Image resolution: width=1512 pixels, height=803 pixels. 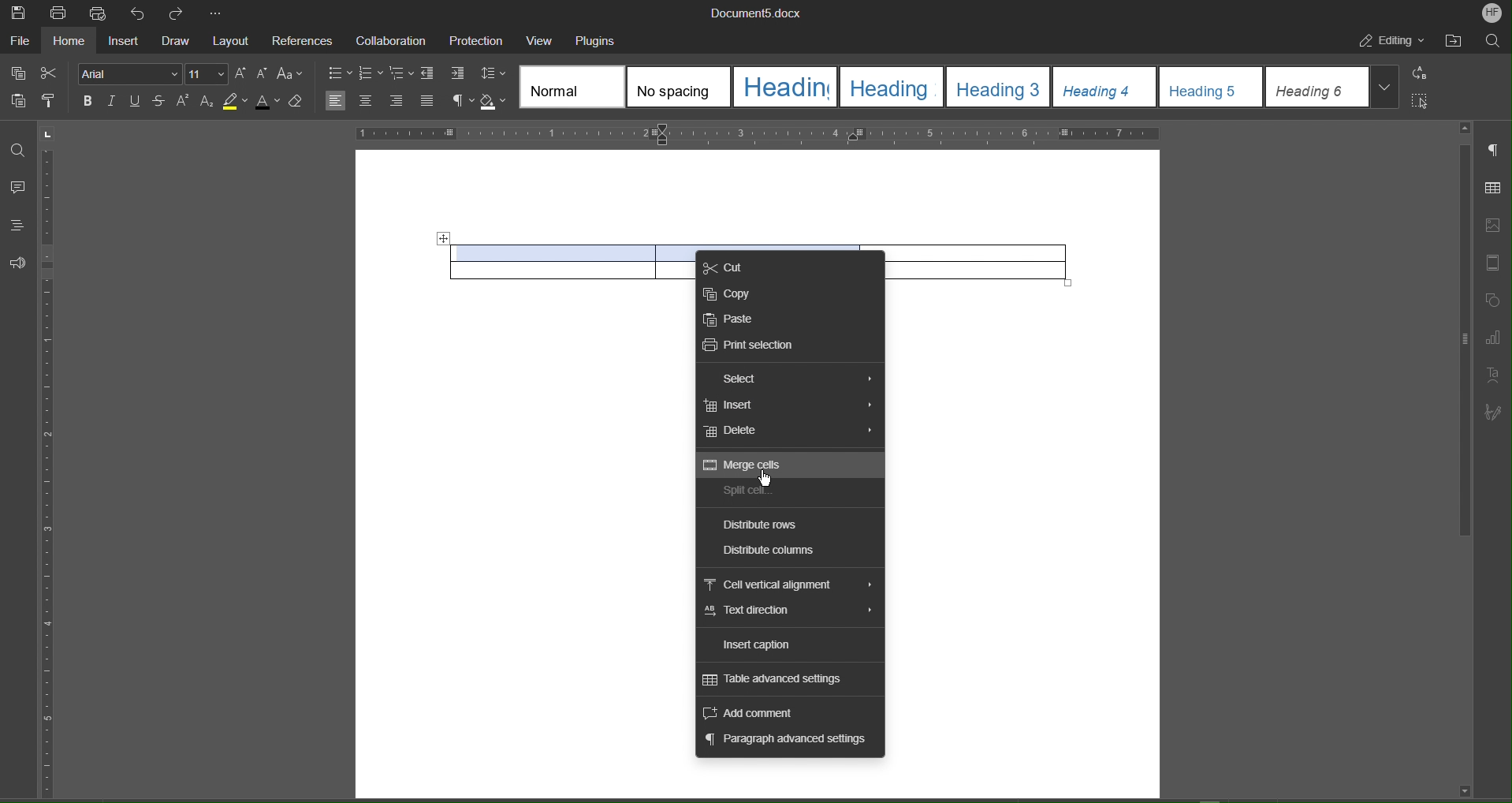 I want to click on Layout, so click(x=234, y=43).